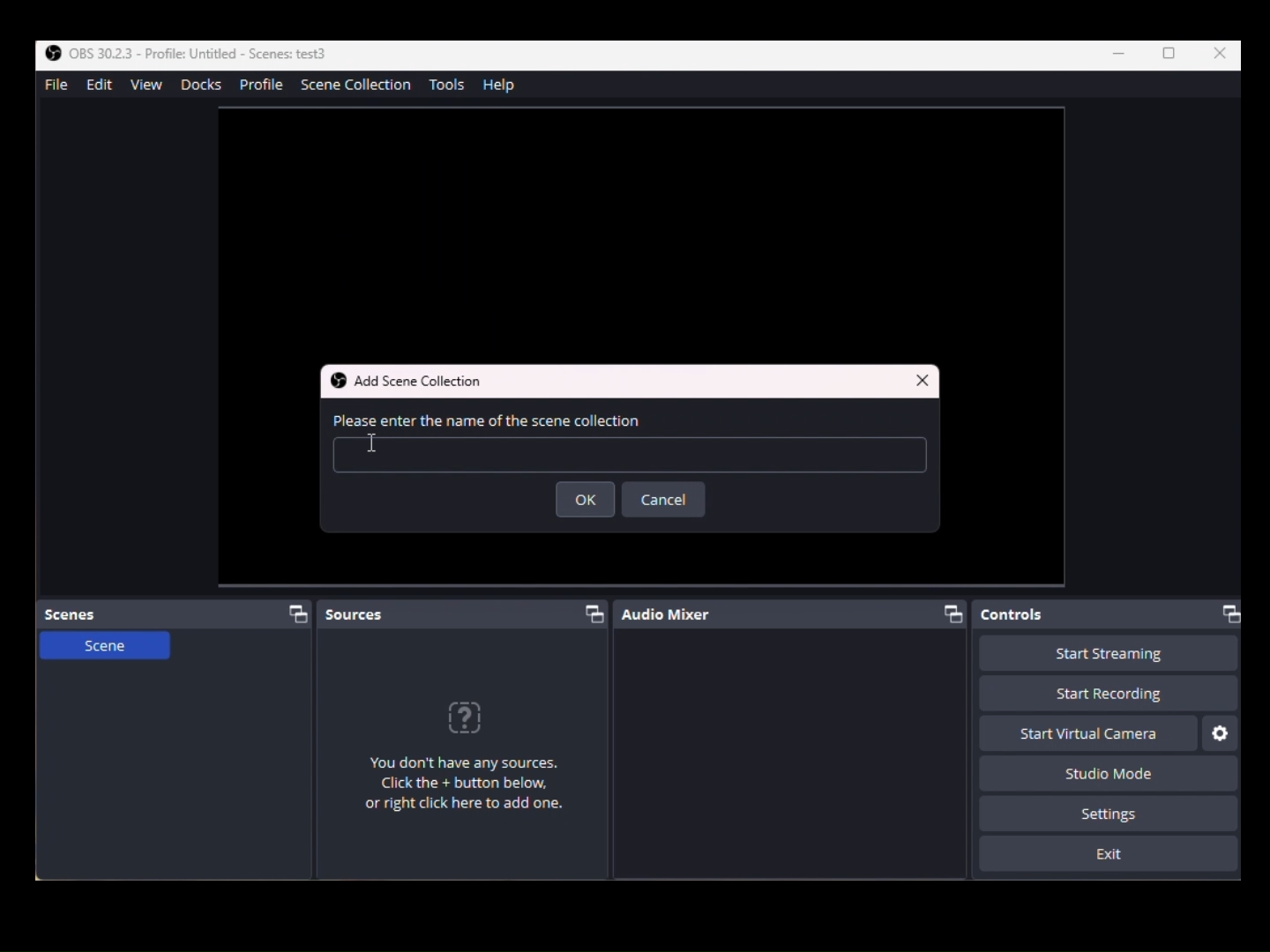  Describe the element at coordinates (663, 500) in the screenshot. I see `Cancel` at that location.